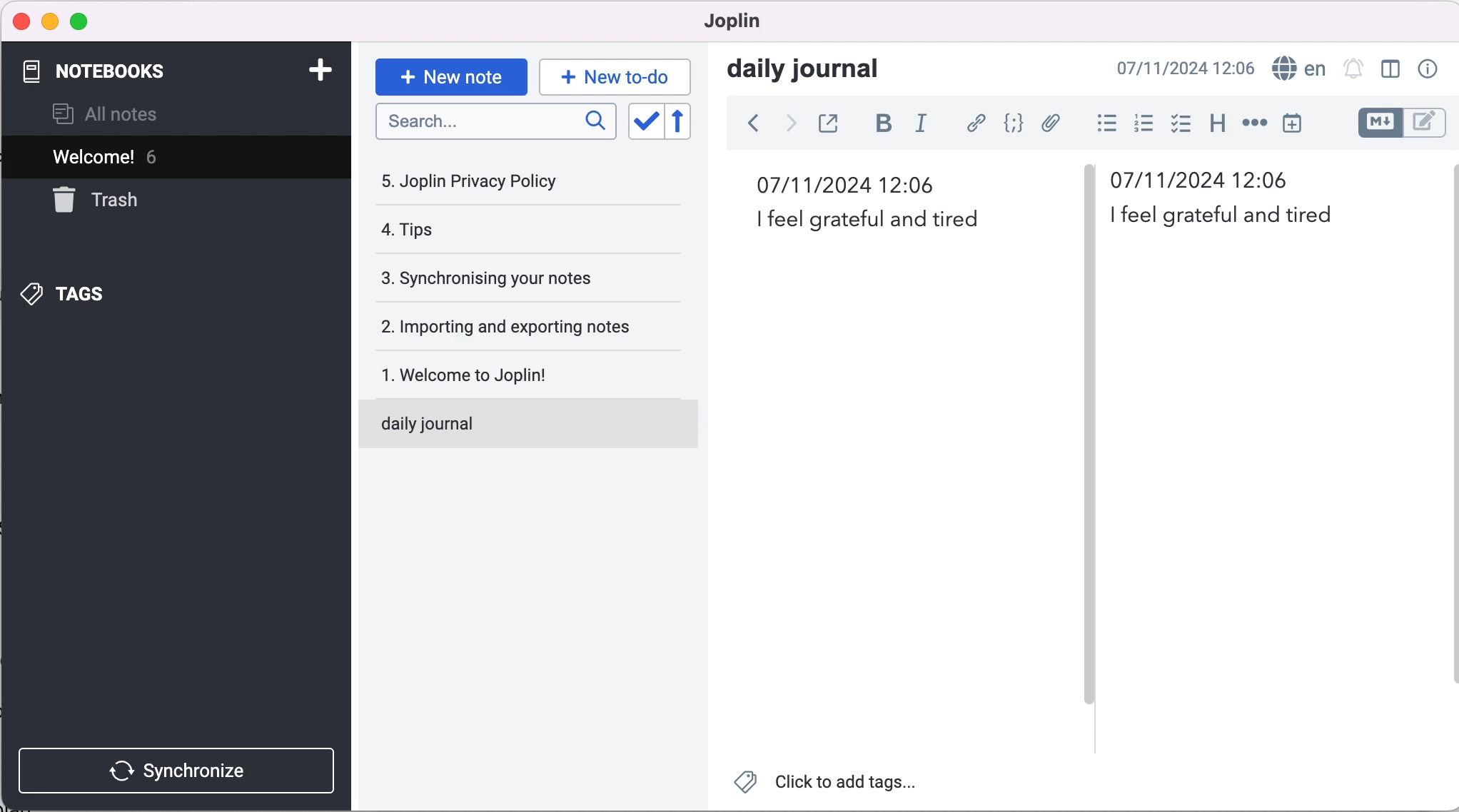  What do you see at coordinates (1213, 181) in the screenshot?
I see `time and date` at bounding box center [1213, 181].